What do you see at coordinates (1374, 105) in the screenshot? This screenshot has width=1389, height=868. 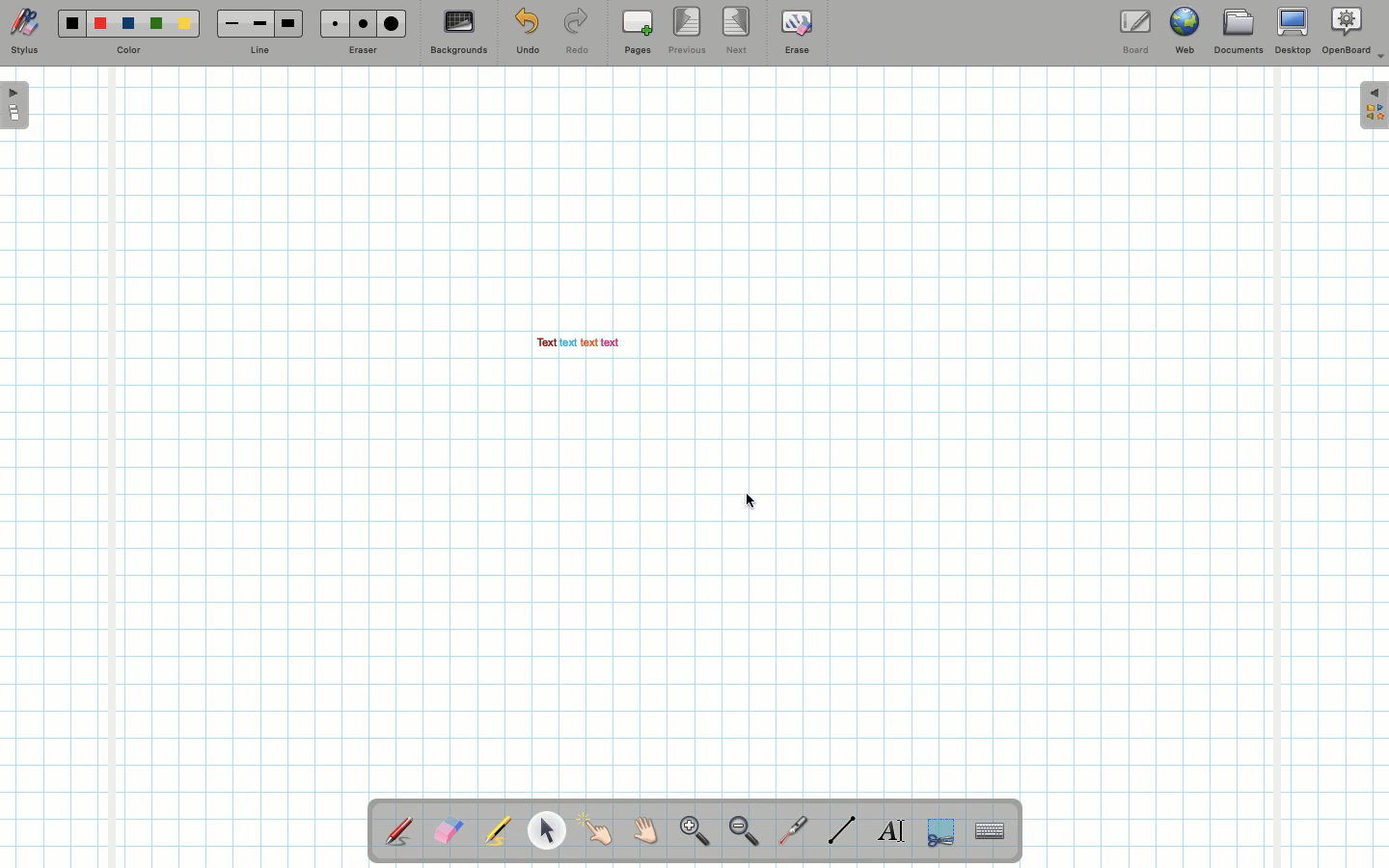 I see `Expand` at bounding box center [1374, 105].